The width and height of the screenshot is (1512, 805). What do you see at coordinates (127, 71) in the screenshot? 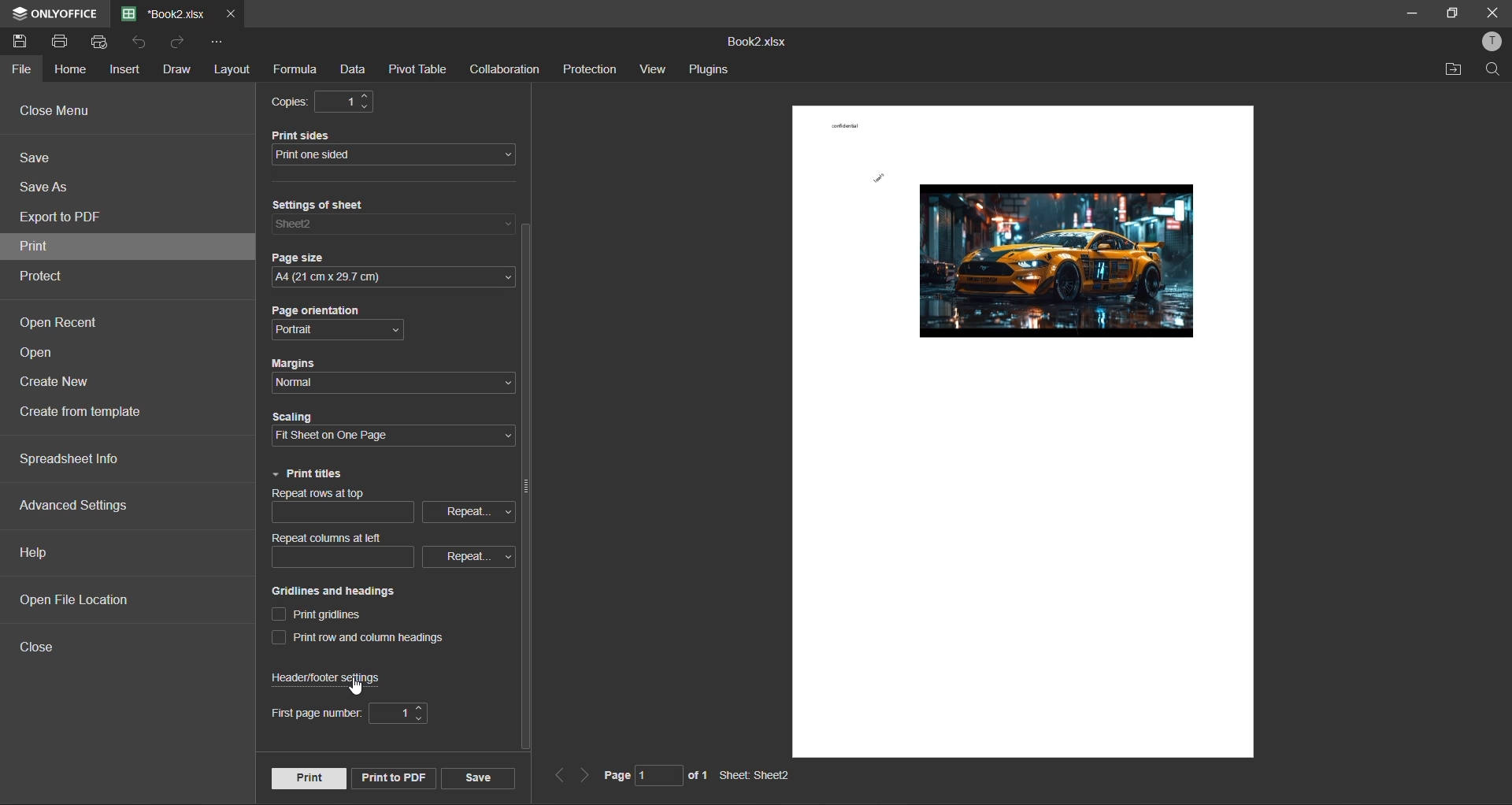
I see `insert` at bounding box center [127, 71].